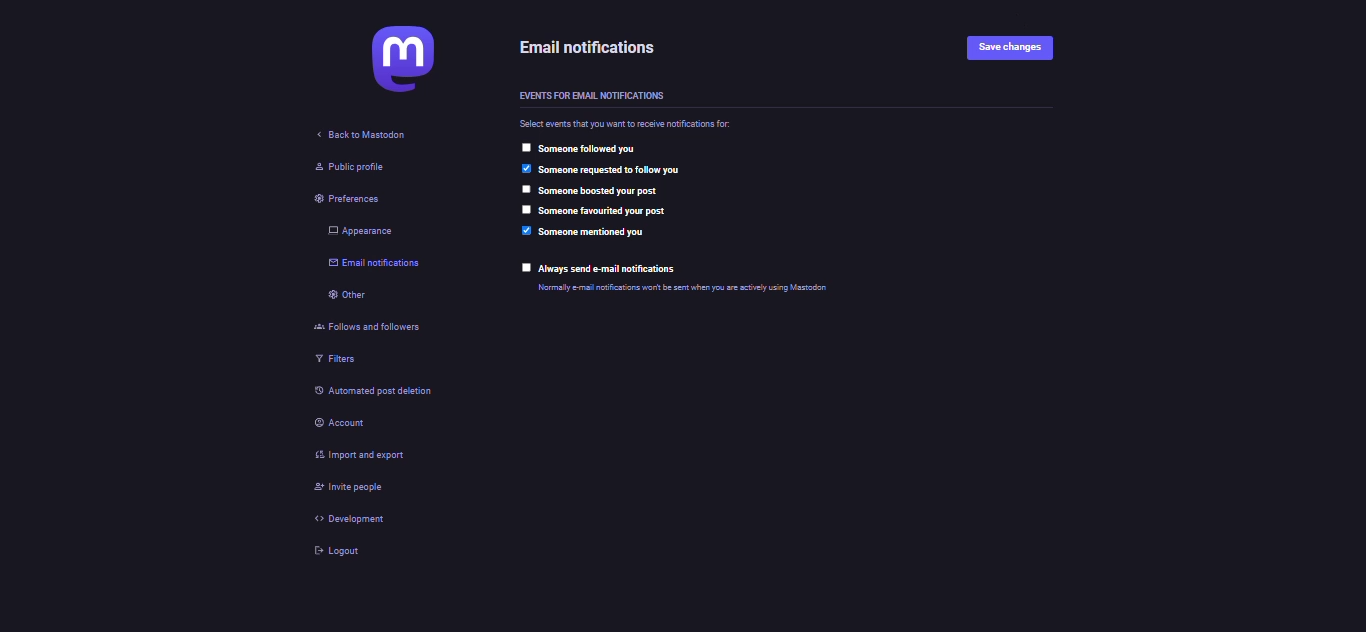 The image size is (1366, 632). Describe the element at coordinates (1010, 49) in the screenshot. I see `save changes` at that location.